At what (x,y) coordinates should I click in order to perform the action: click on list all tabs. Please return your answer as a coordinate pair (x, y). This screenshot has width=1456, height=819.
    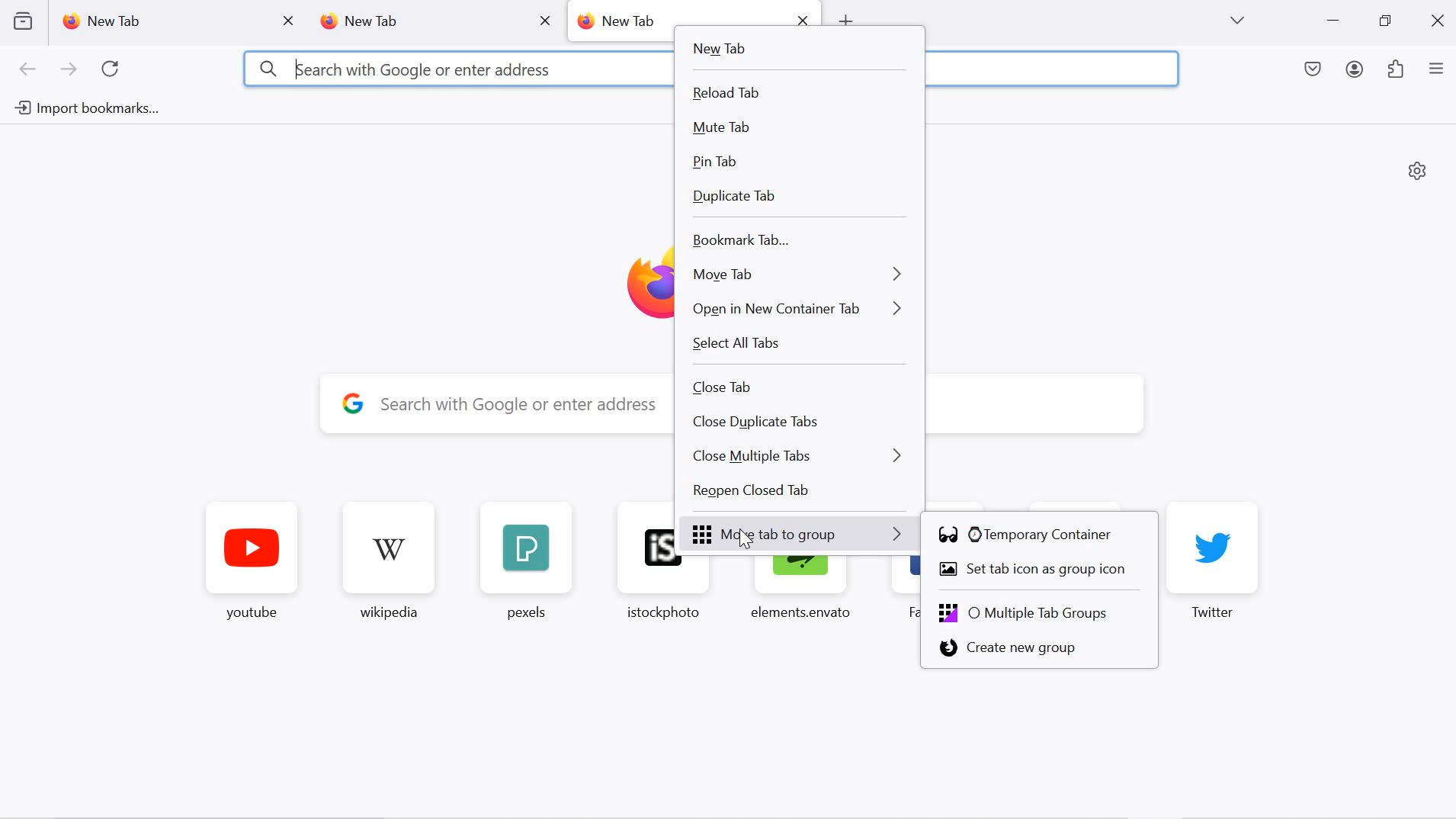
    Looking at the image, I should click on (1236, 21).